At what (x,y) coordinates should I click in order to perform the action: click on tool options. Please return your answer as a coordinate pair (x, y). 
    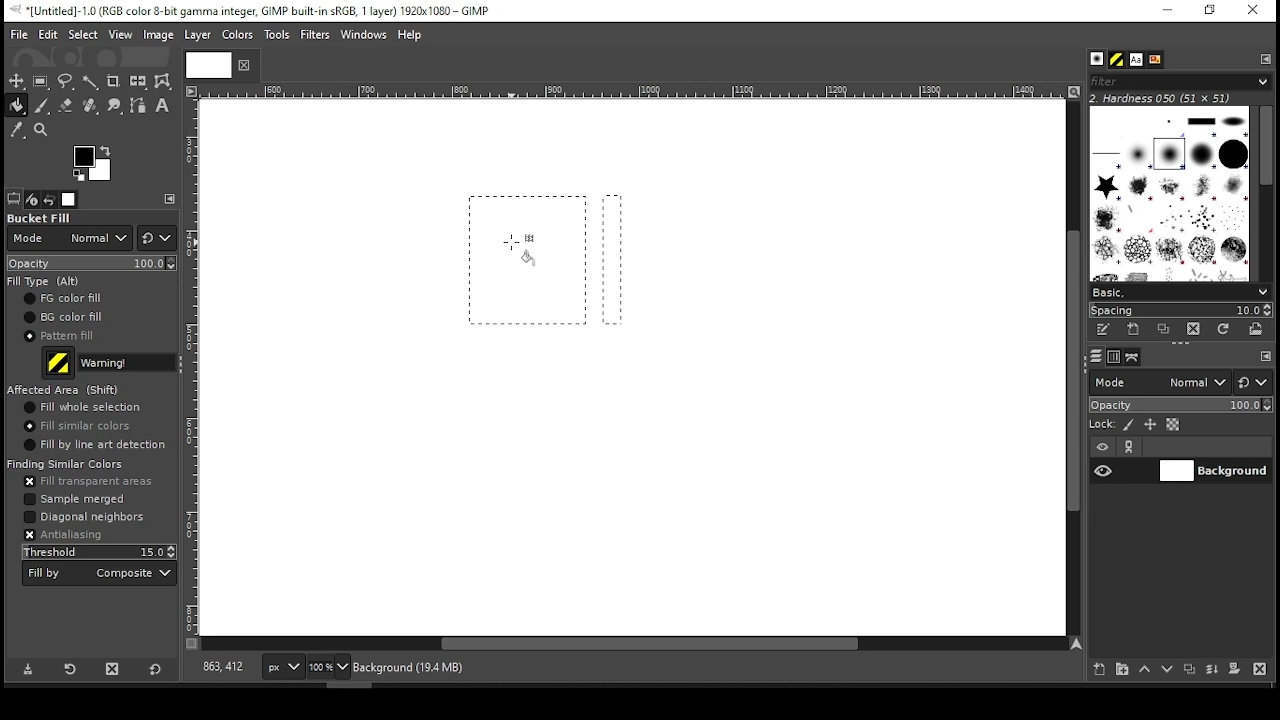
    Looking at the image, I should click on (14, 198).